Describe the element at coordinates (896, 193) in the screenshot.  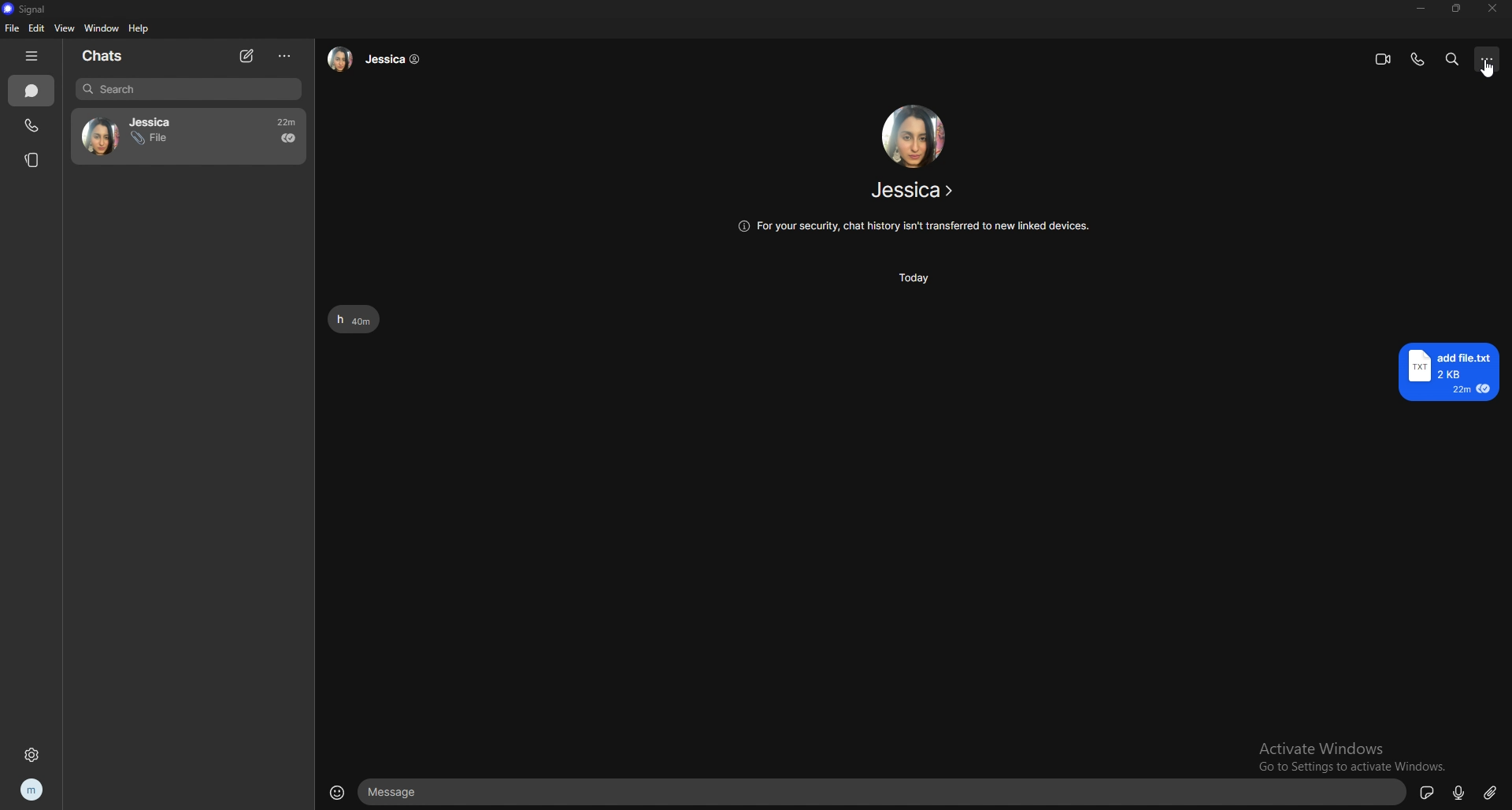
I see `Jessica >` at that location.